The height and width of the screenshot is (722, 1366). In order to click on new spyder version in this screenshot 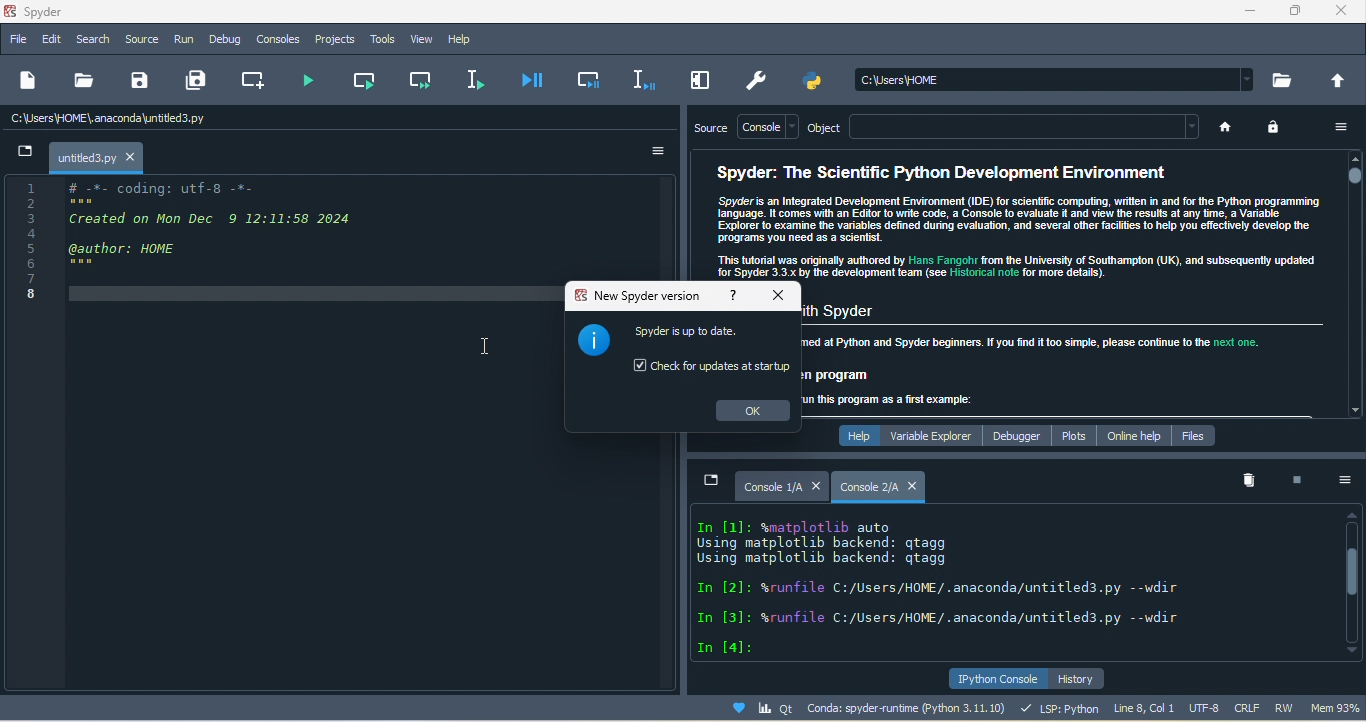, I will do `click(638, 294)`.